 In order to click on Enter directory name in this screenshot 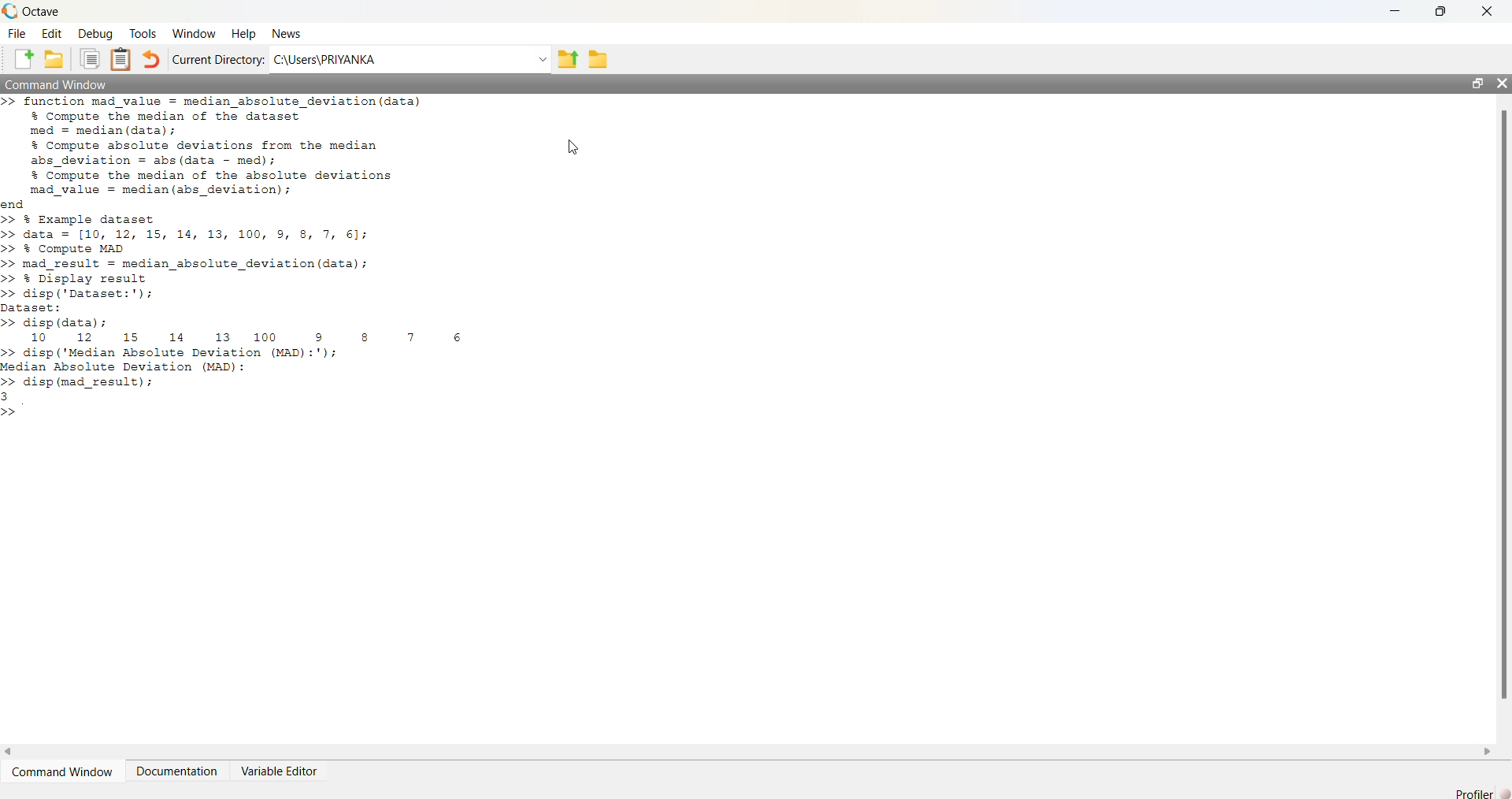, I will do `click(542, 59)`.